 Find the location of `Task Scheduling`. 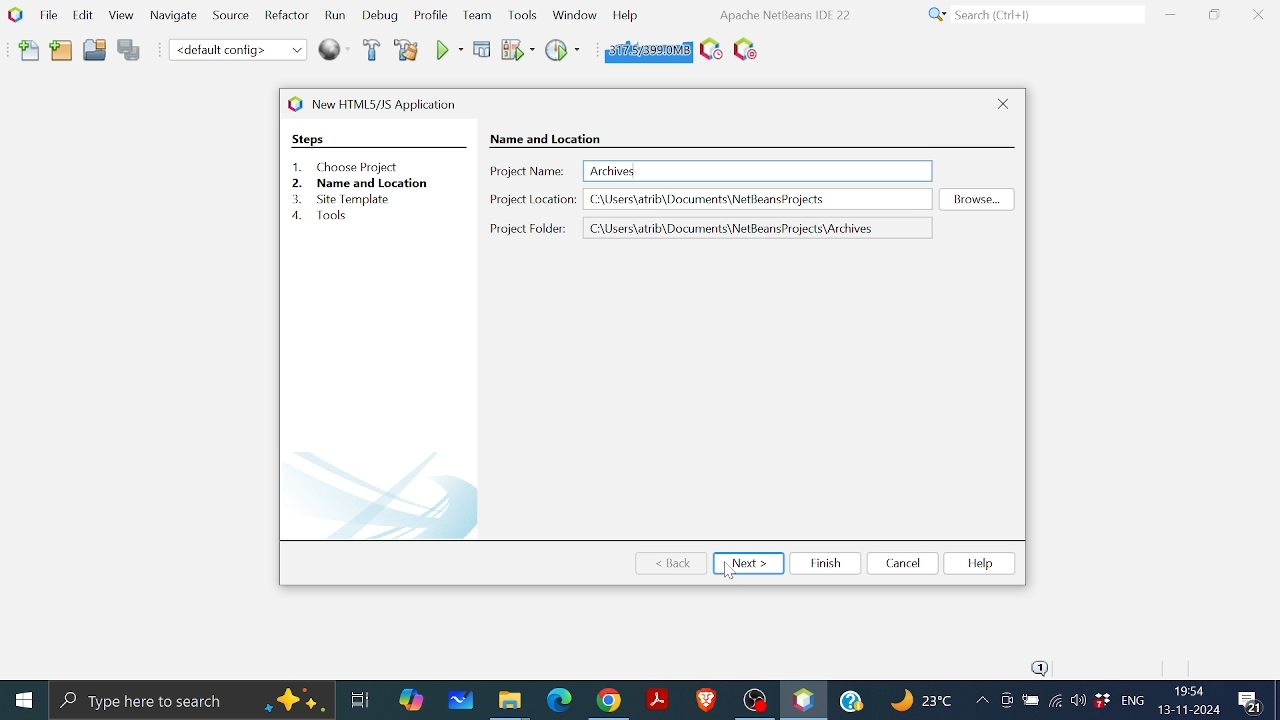

Task Scheduling is located at coordinates (709, 50).